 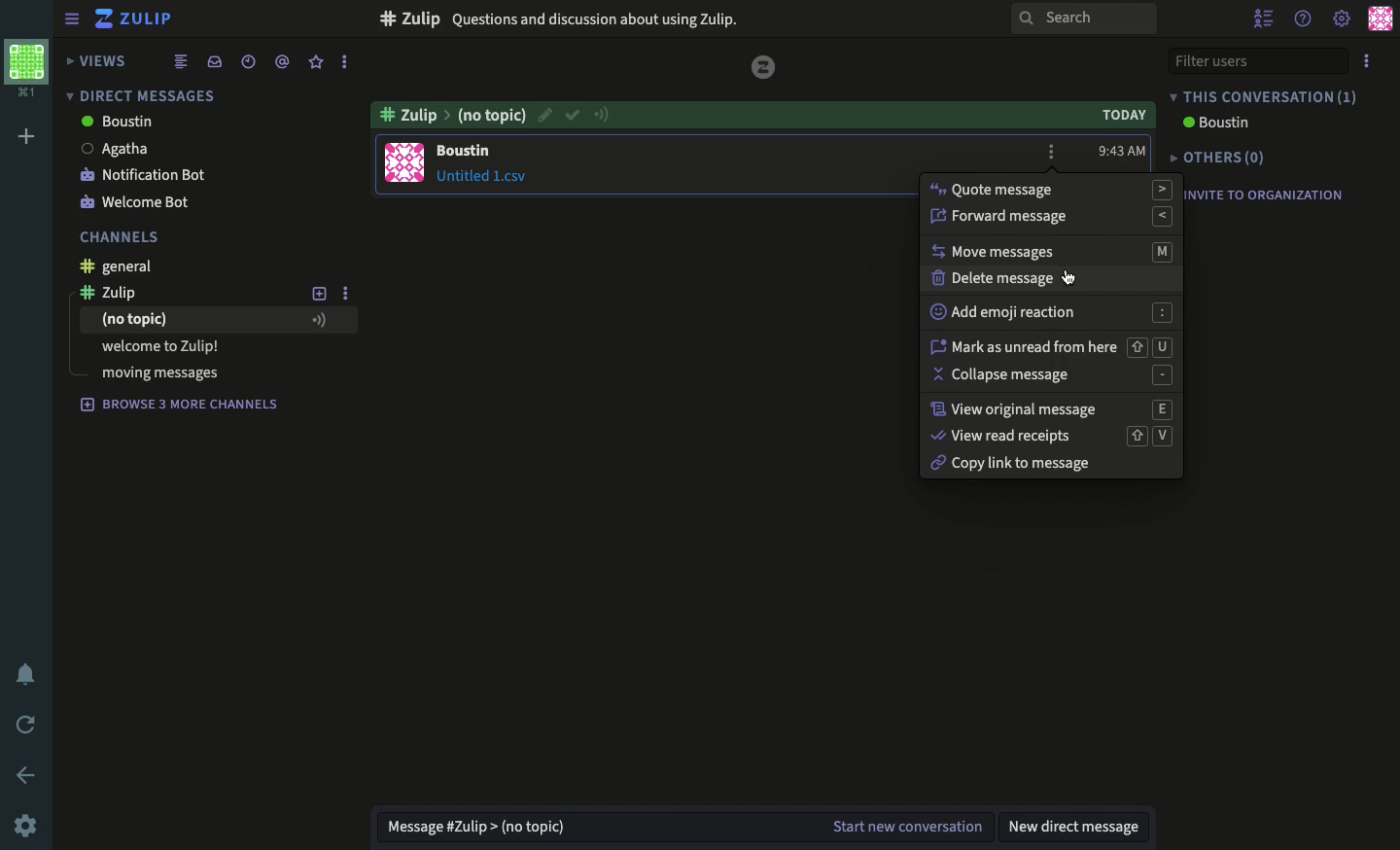 I want to click on add workspace, so click(x=28, y=134).